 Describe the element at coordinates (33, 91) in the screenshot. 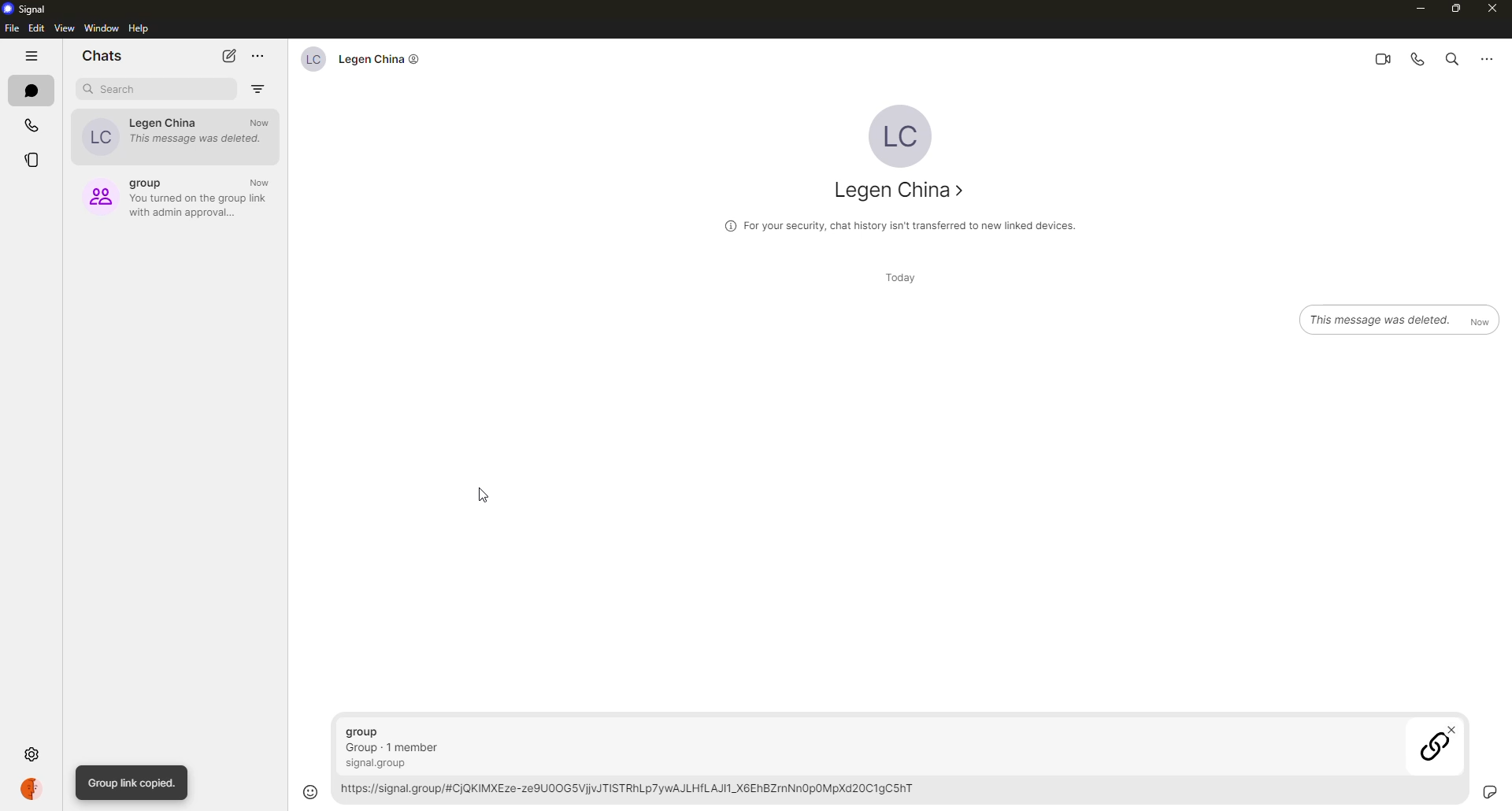

I see `chats` at that location.